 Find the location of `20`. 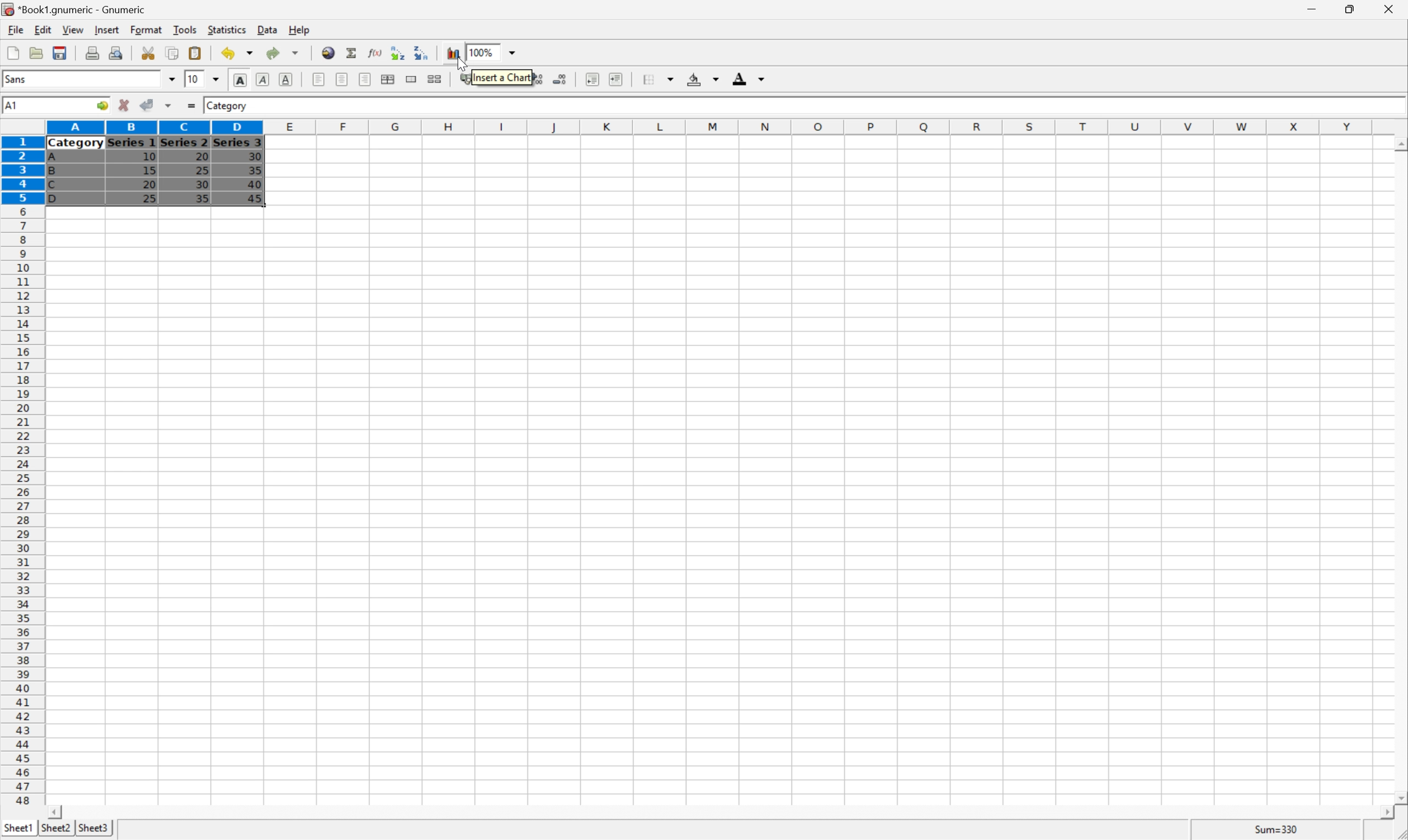

20 is located at coordinates (200, 155).